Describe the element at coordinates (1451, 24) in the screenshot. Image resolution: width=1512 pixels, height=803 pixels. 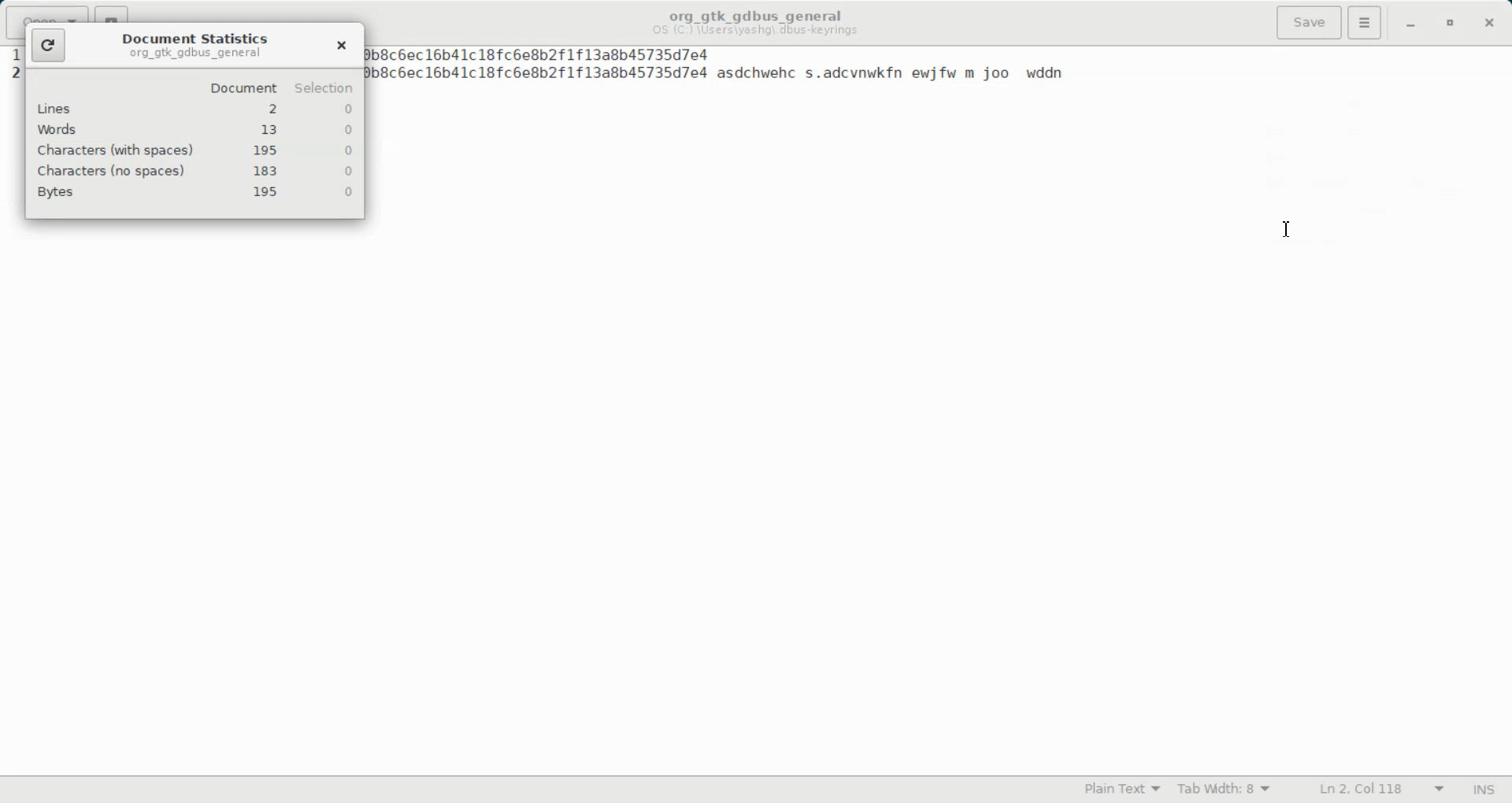
I see `Maximize` at that location.